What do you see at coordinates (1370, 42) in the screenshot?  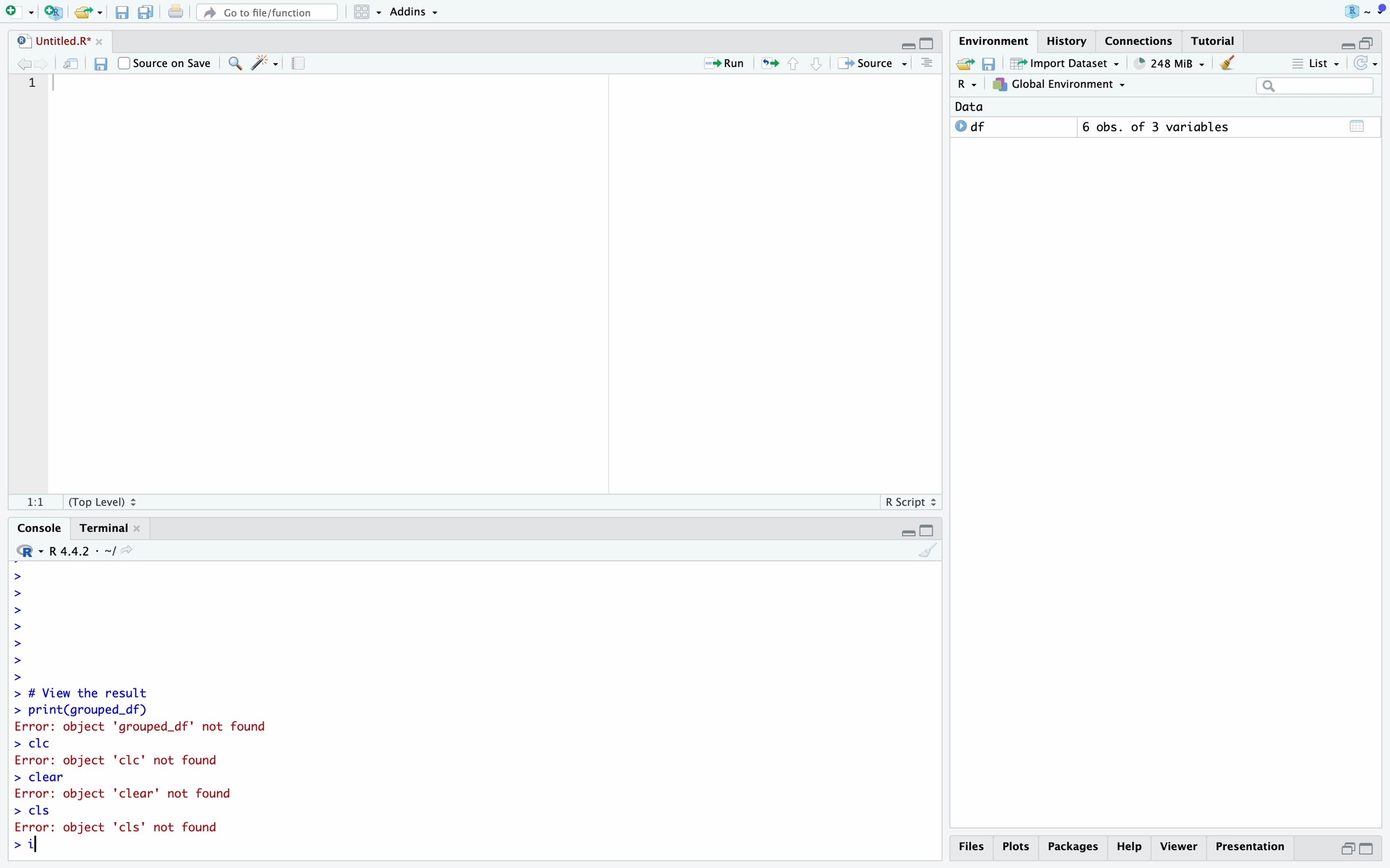 I see `Half Height` at bounding box center [1370, 42].